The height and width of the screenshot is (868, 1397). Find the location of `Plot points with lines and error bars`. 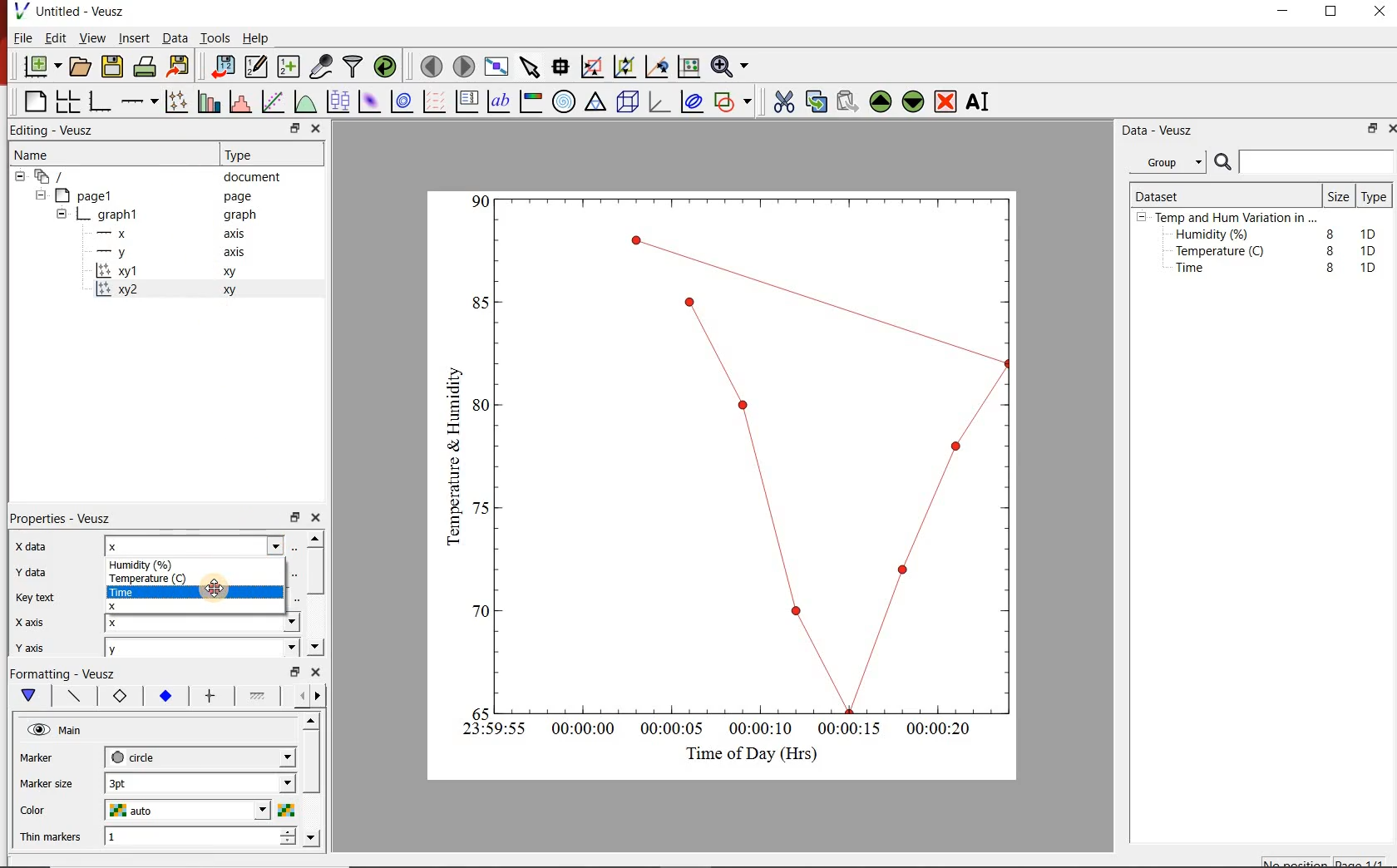

Plot points with lines and error bars is located at coordinates (176, 100).